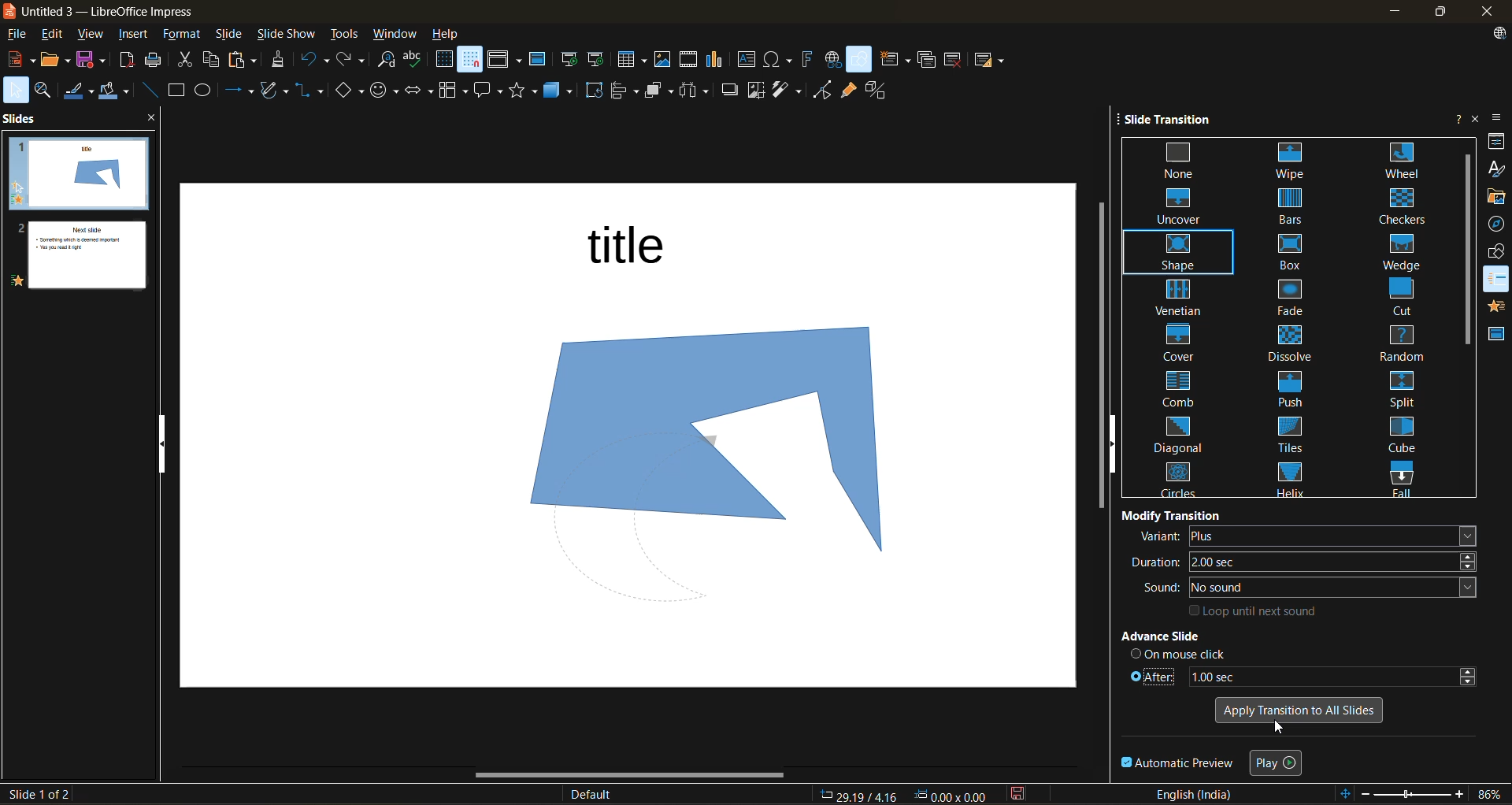  Describe the element at coordinates (243, 61) in the screenshot. I see `paste` at that location.